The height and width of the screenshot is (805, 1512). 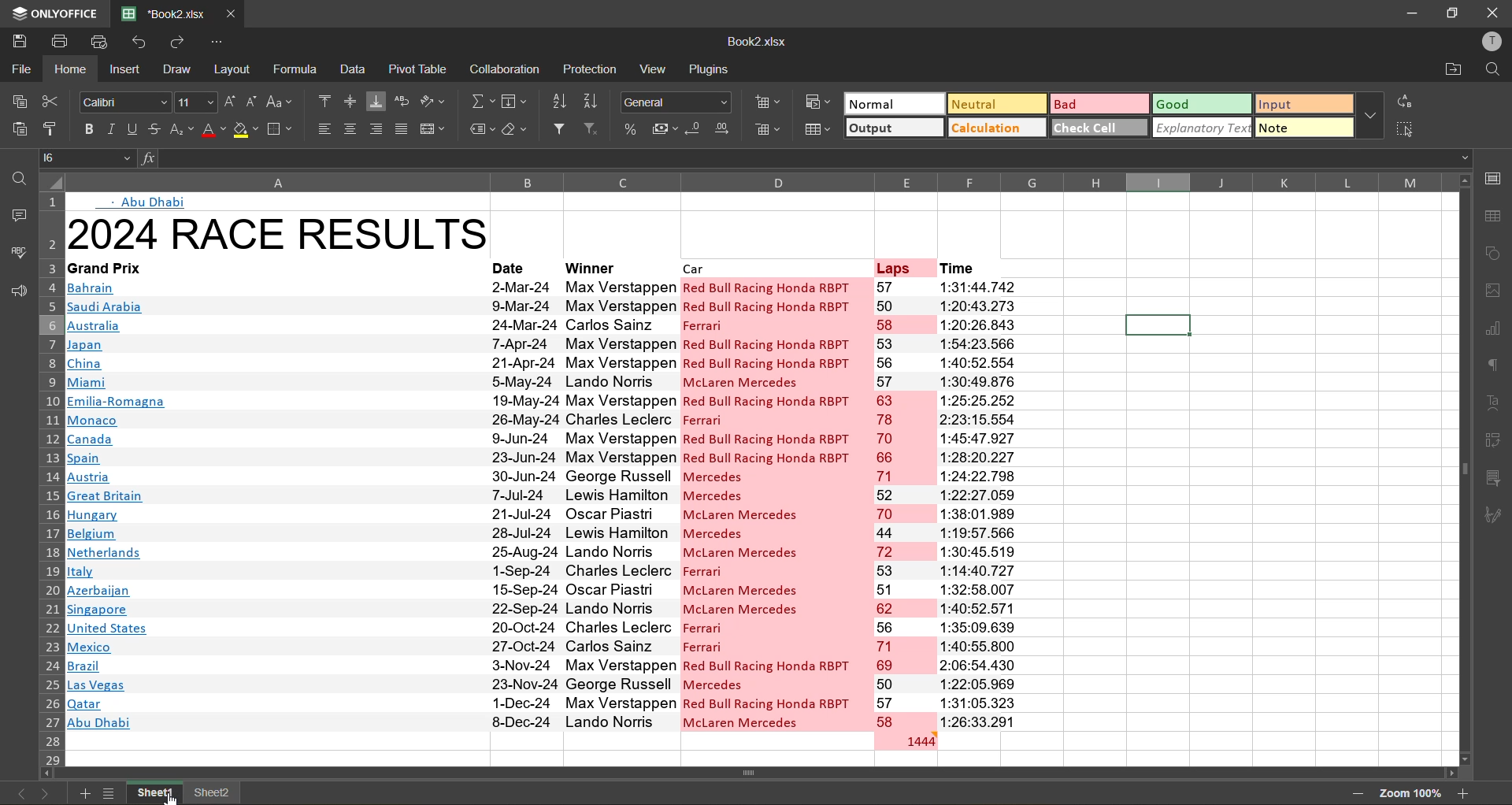 I want to click on italic, so click(x=111, y=128).